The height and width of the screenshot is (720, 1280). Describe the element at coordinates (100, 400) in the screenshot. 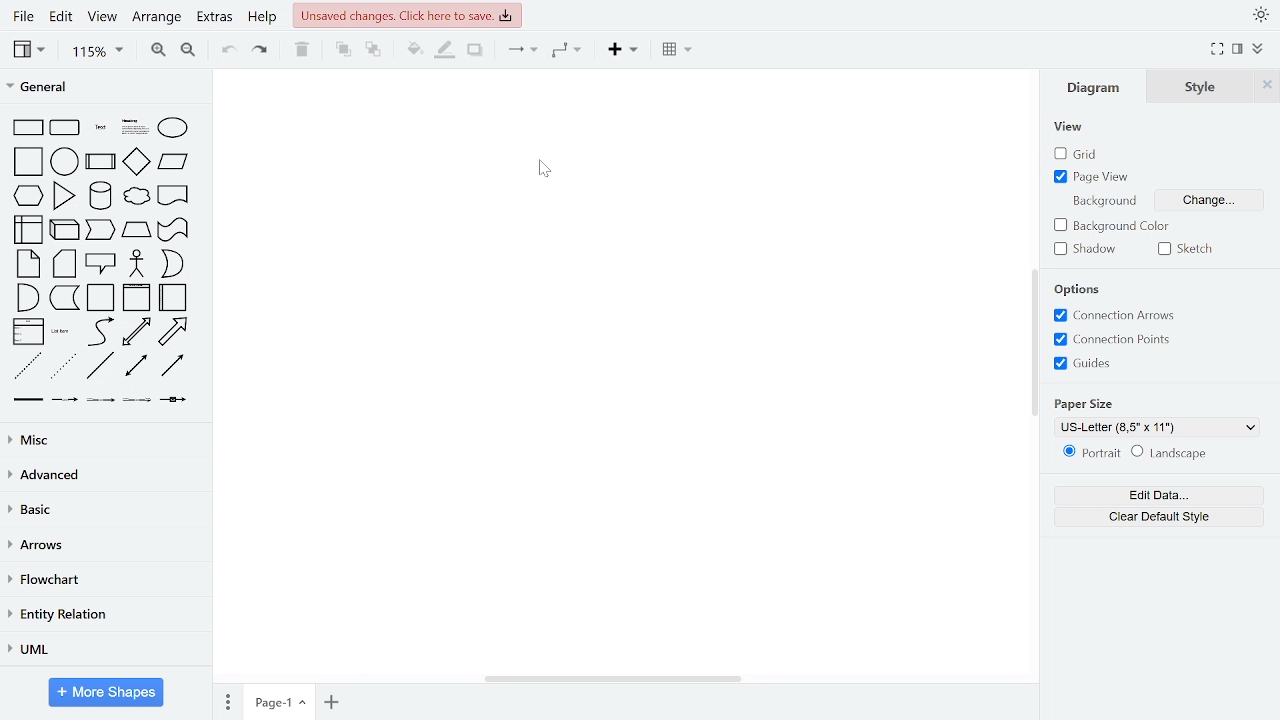

I see `connector with 2 labels` at that location.